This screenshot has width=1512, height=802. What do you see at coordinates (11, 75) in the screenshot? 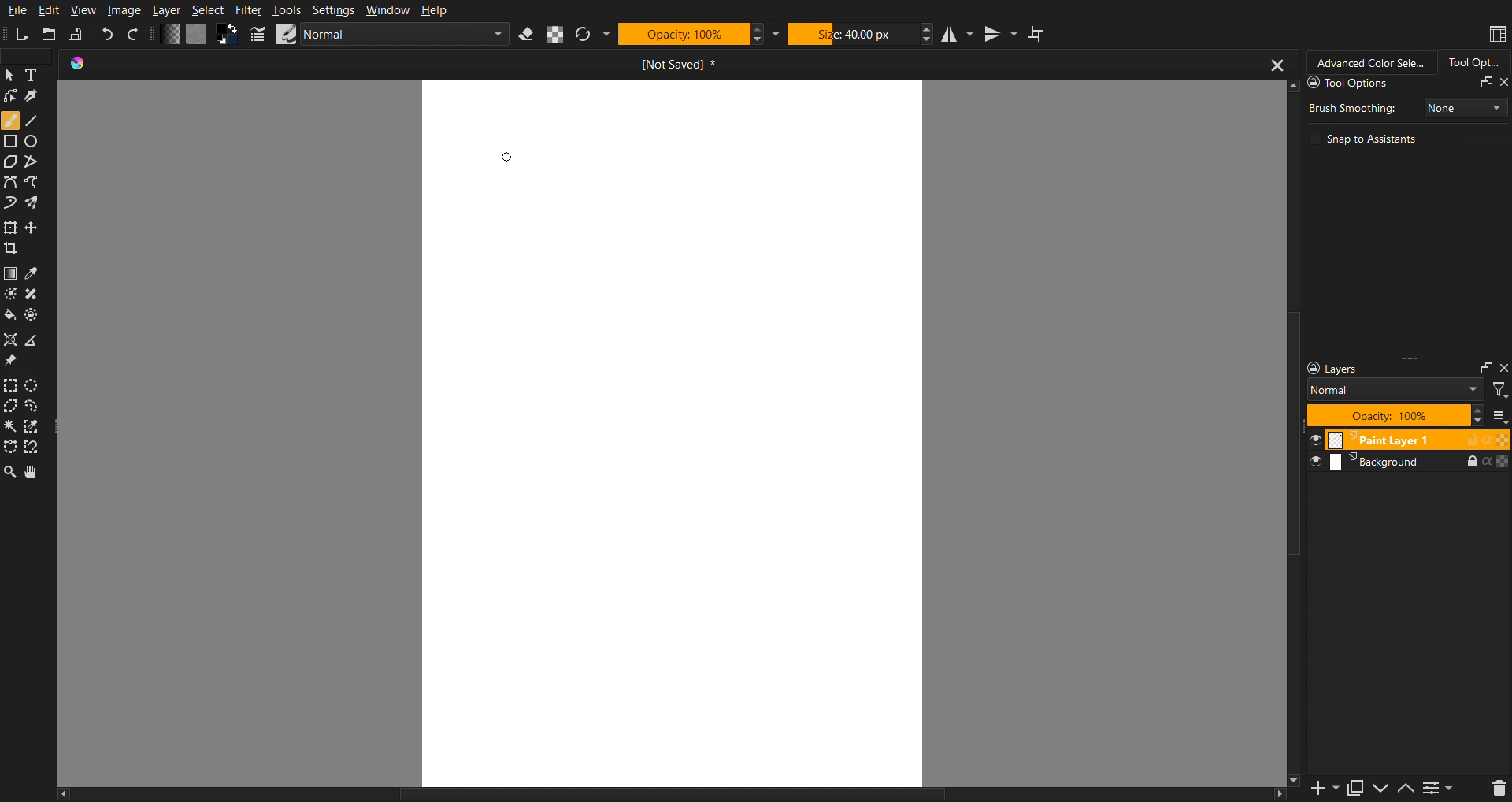
I see `Pointer` at bounding box center [11, 75].